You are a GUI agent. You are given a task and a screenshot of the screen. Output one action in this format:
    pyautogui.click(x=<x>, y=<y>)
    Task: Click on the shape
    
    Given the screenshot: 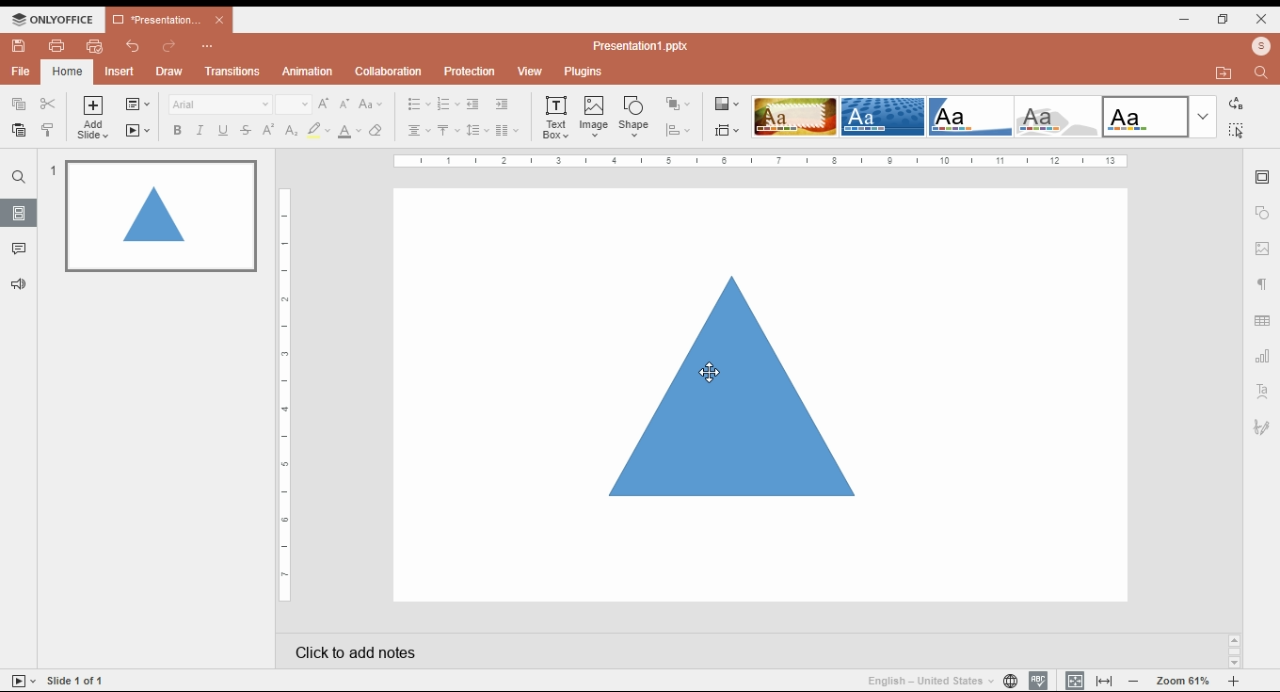 What is the action you would take?
    pyautogui.click(x=735, y=385)
    